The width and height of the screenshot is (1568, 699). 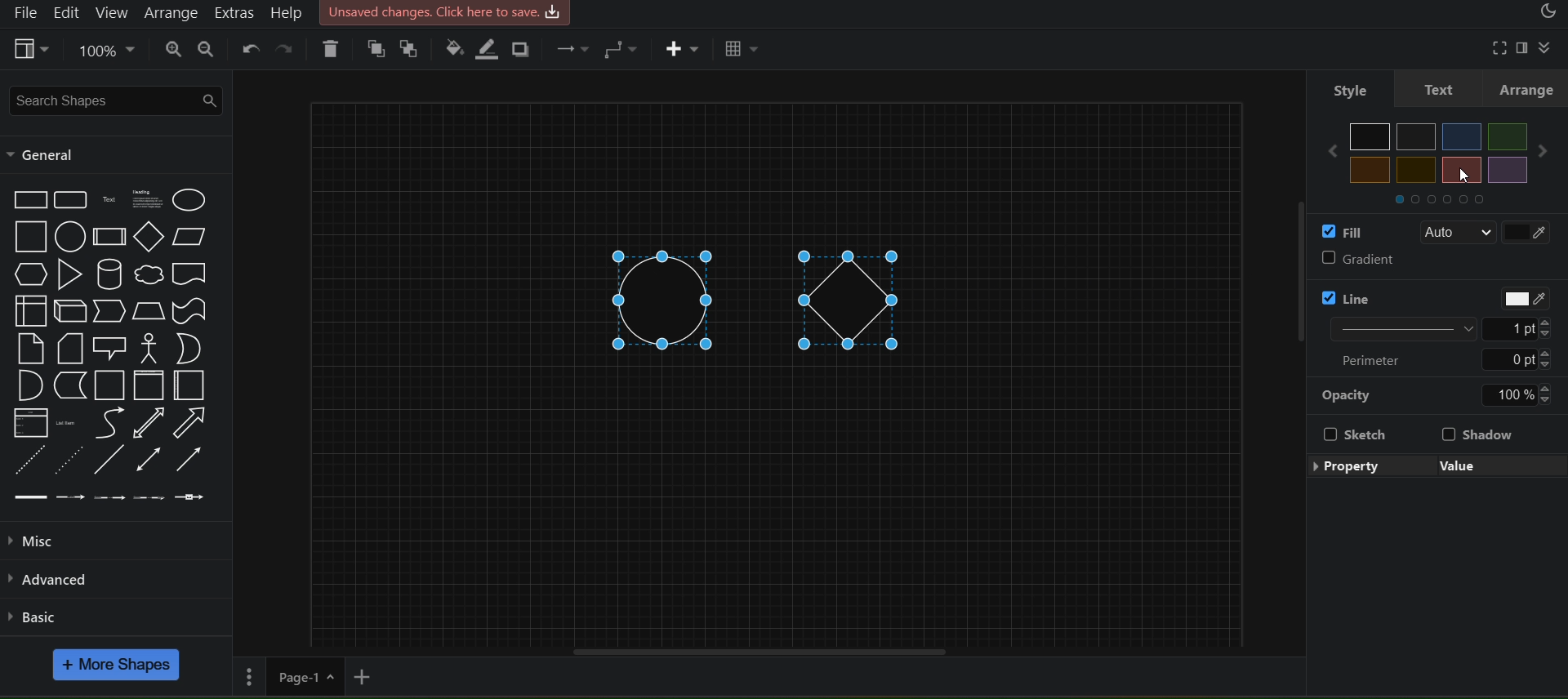 I want to click on , so click(x=1419, y=136).